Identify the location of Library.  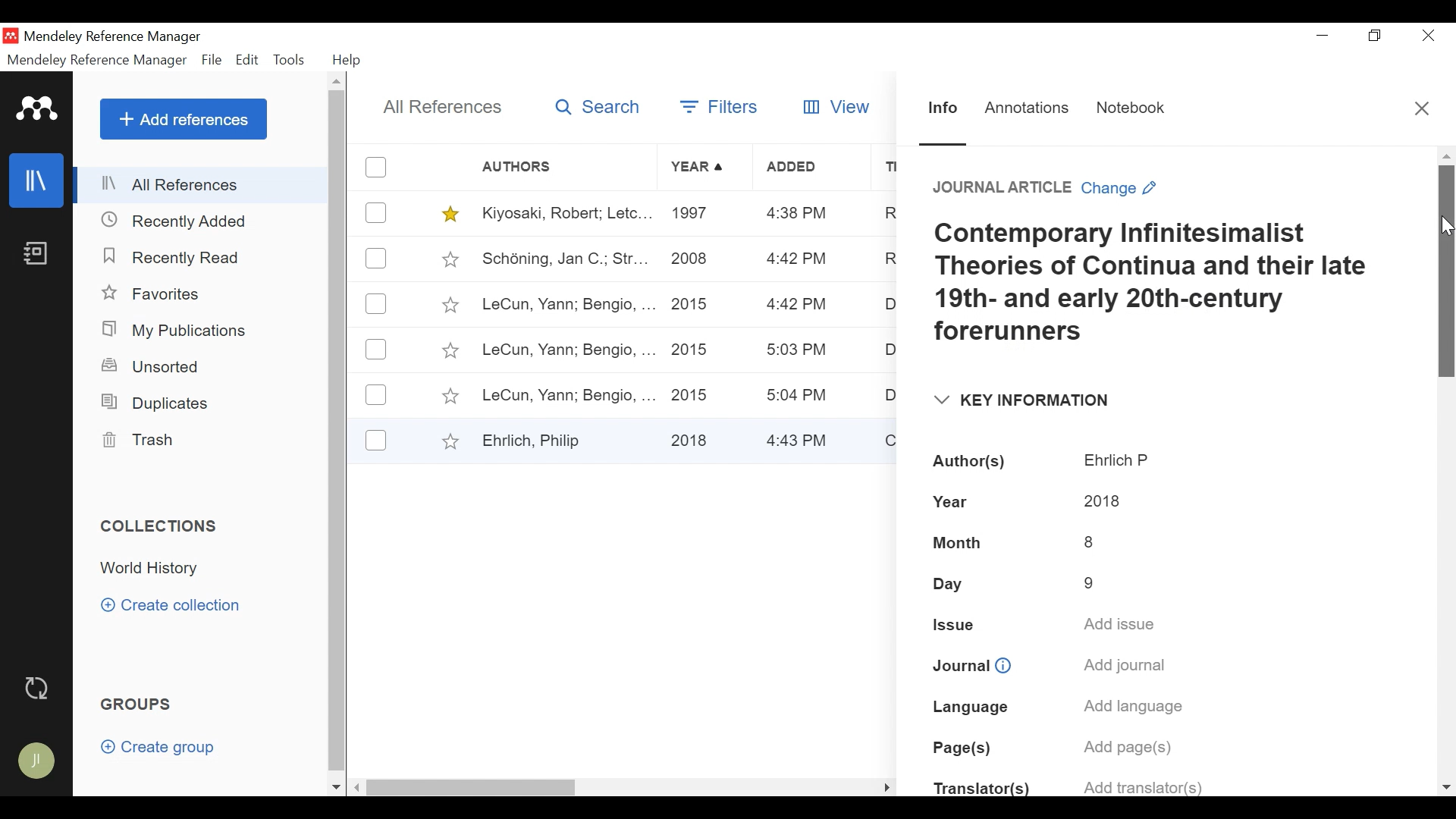
(34, 180).